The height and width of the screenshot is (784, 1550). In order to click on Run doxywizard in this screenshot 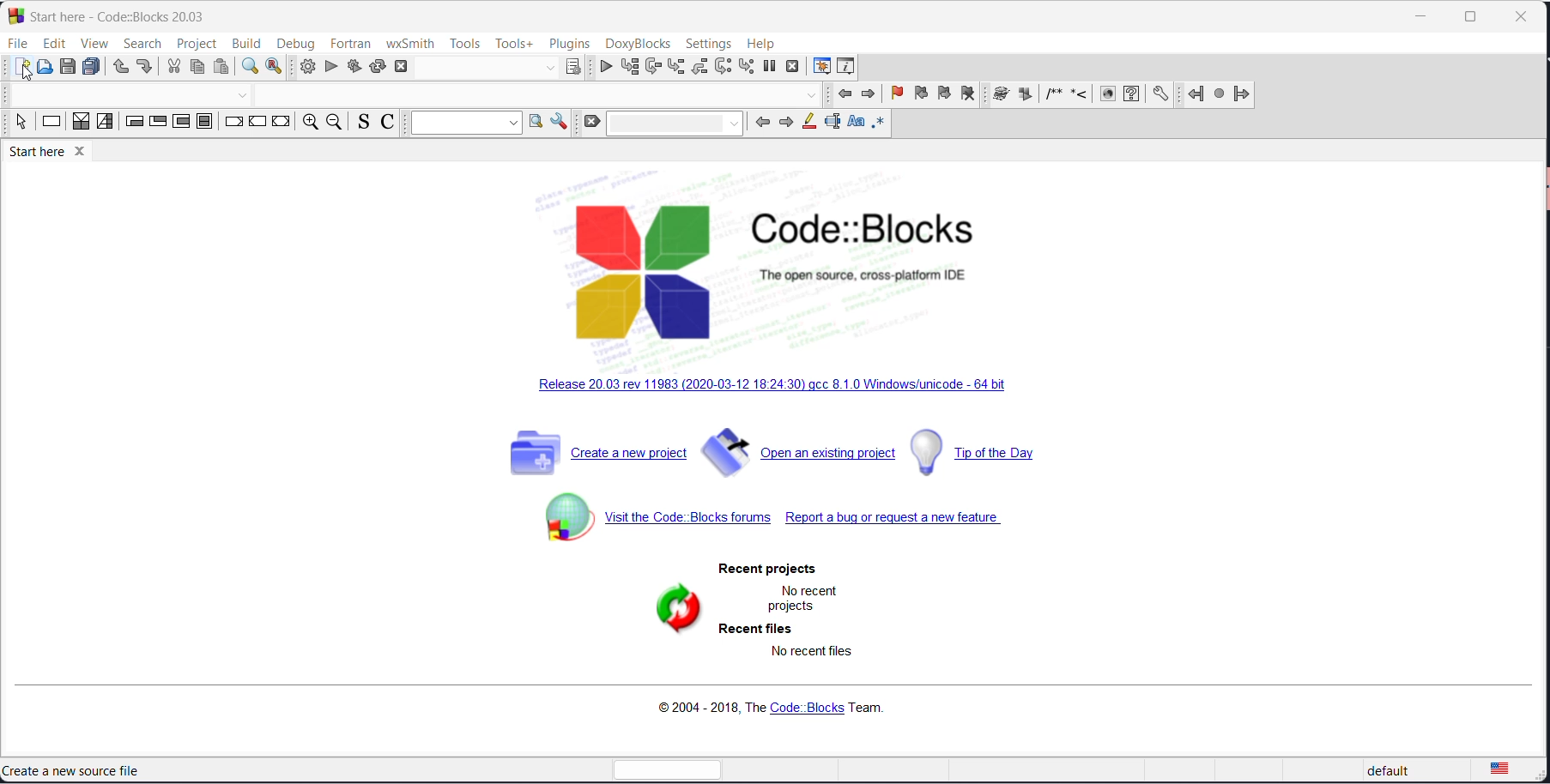, I will do `click(1002, 97)`.